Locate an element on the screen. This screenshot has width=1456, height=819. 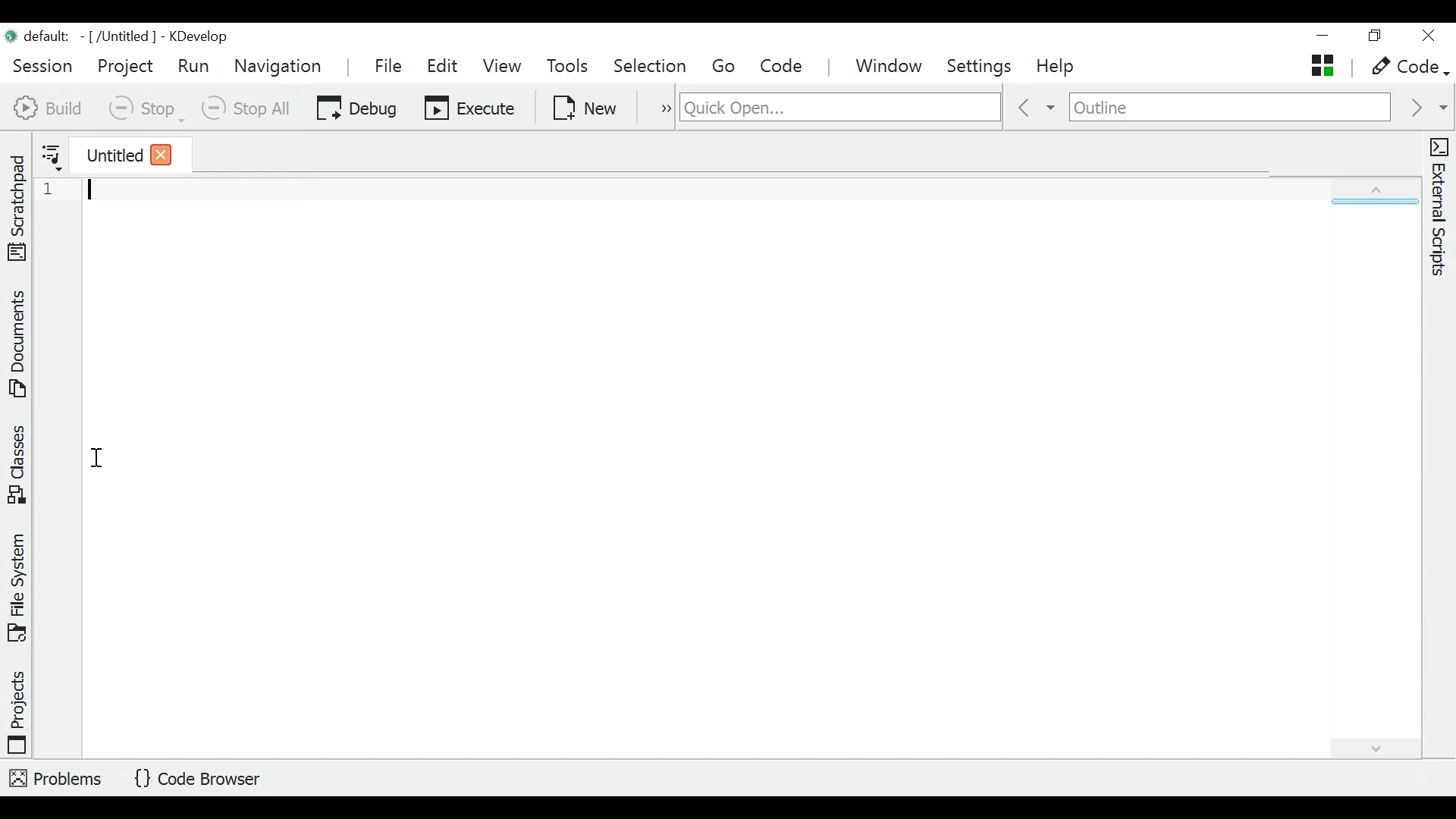
cursor is located at coordinates (104, 460).